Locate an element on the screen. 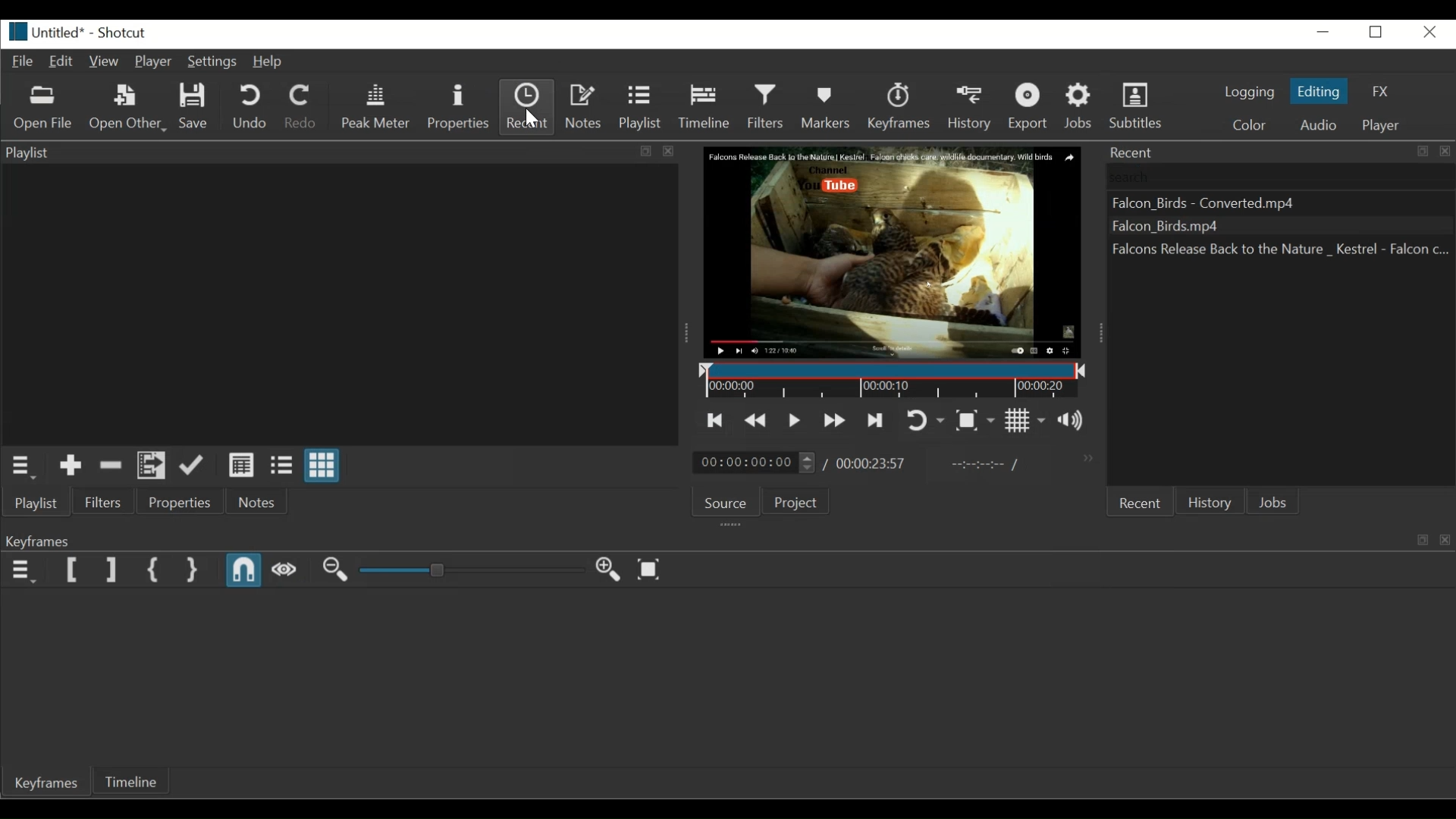  Set First Simple keyframe is located at coordinates (152, 570).